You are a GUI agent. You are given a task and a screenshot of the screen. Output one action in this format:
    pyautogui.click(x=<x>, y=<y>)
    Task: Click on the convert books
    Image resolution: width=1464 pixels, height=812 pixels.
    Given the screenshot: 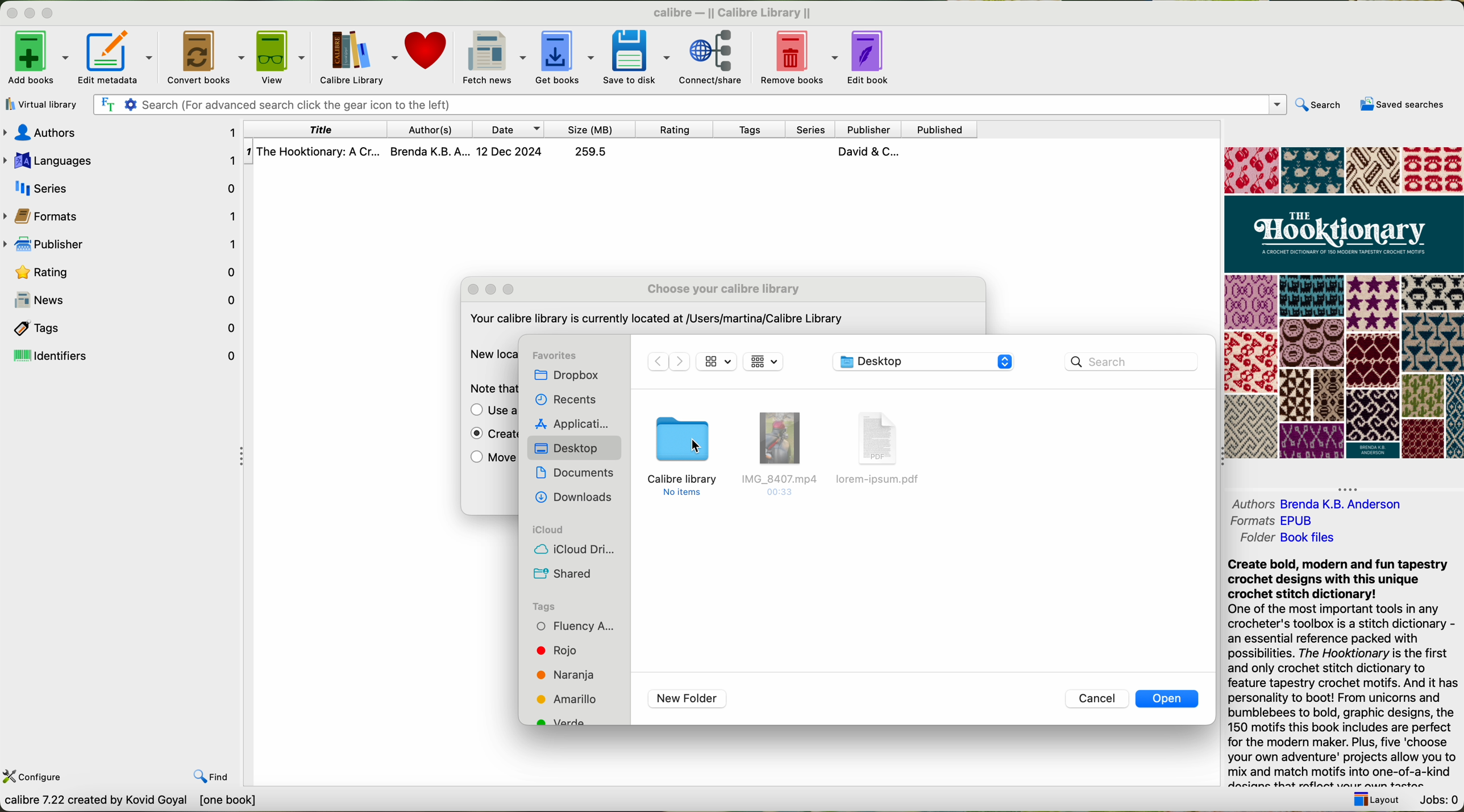 What is the action you would take?
    pyautogui.click(x=204, y=56)
    